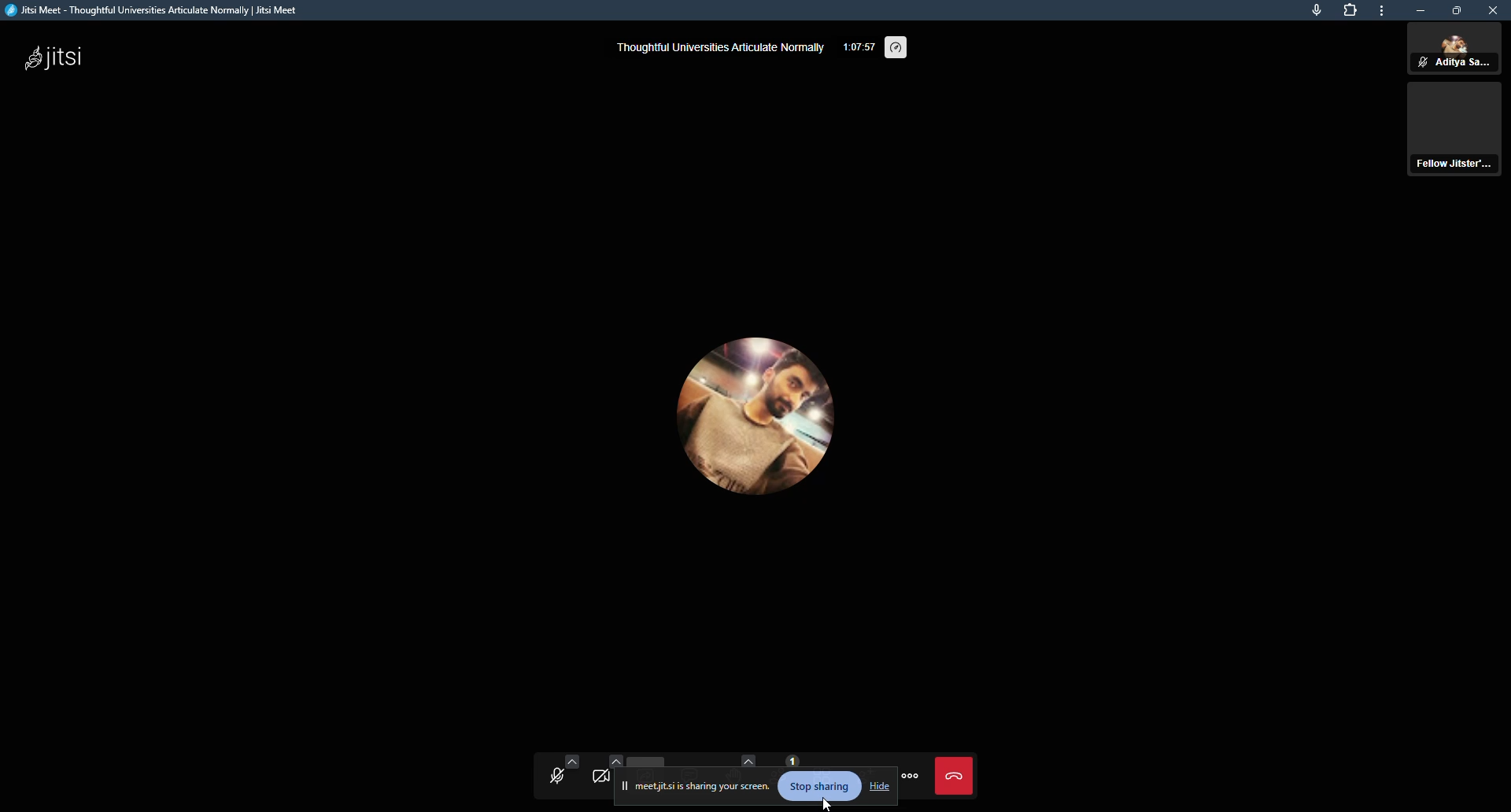  Describe the element at coordinates (858, 46) in the screenshot. I see `1:07:57` at that location.